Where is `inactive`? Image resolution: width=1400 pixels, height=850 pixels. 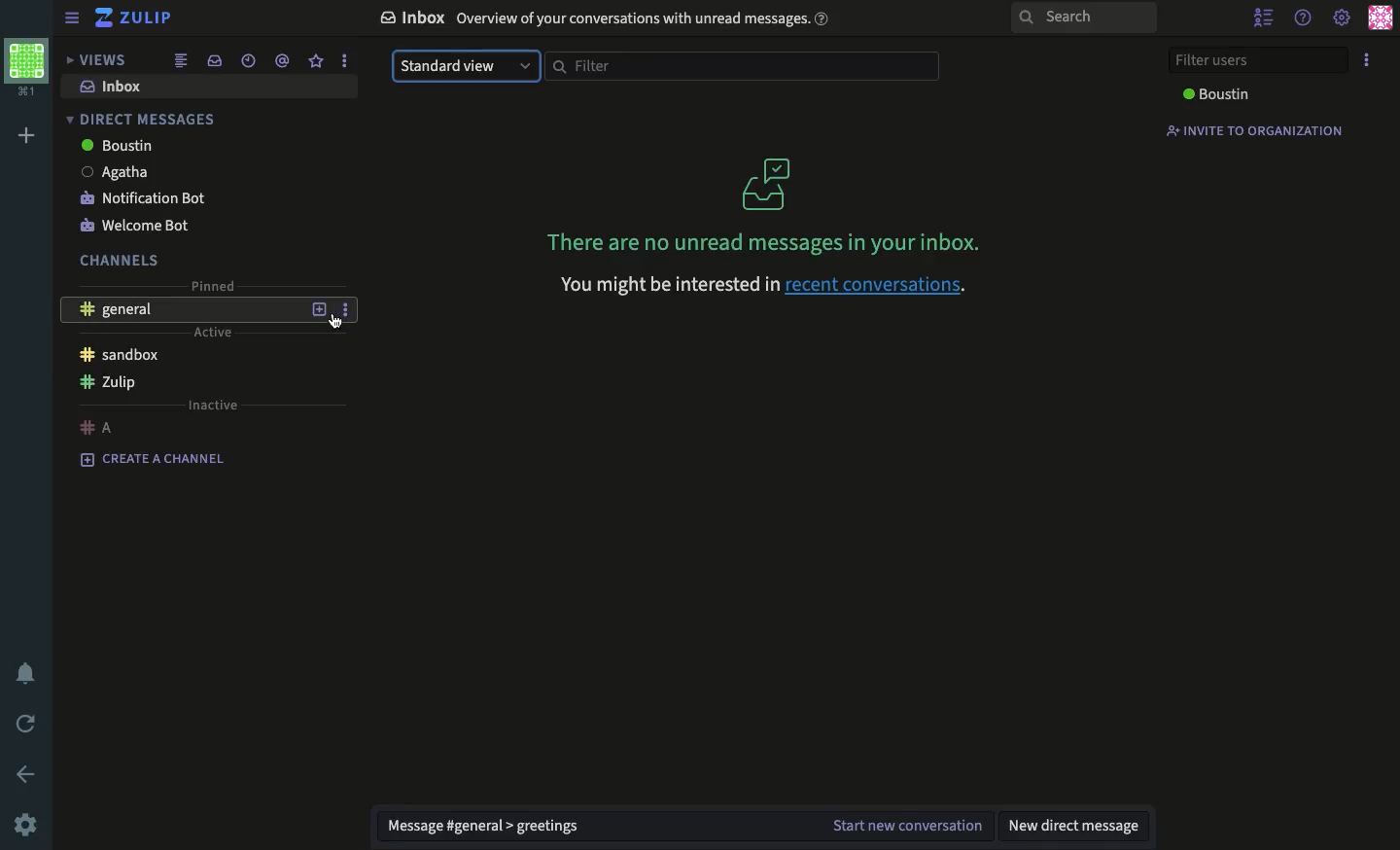
inactive is located at coordinates (211, 406).